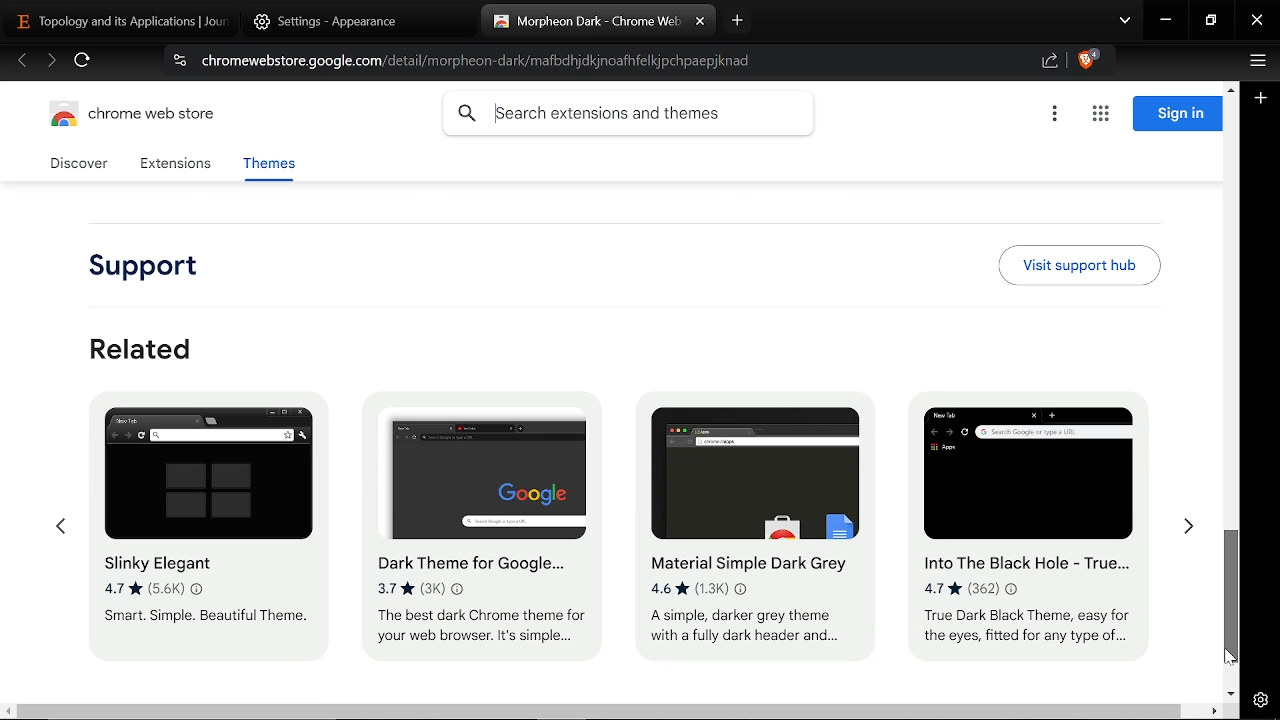  Describe the element at coordinates (700, 22) in the screenshot. I see `Close current tab` at that location.